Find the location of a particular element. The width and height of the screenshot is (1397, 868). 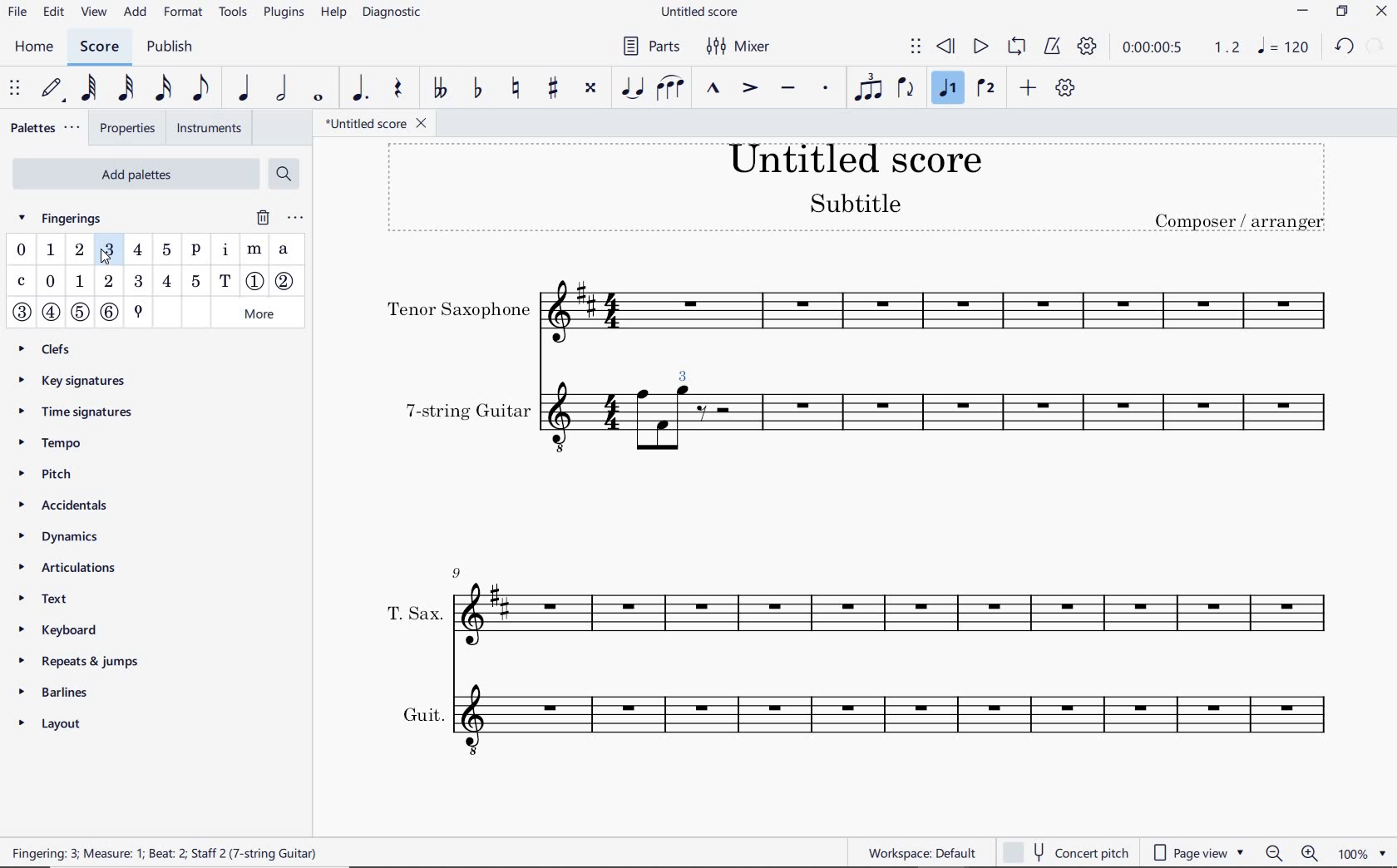

ACCENT is located at coordinates (751, 88).